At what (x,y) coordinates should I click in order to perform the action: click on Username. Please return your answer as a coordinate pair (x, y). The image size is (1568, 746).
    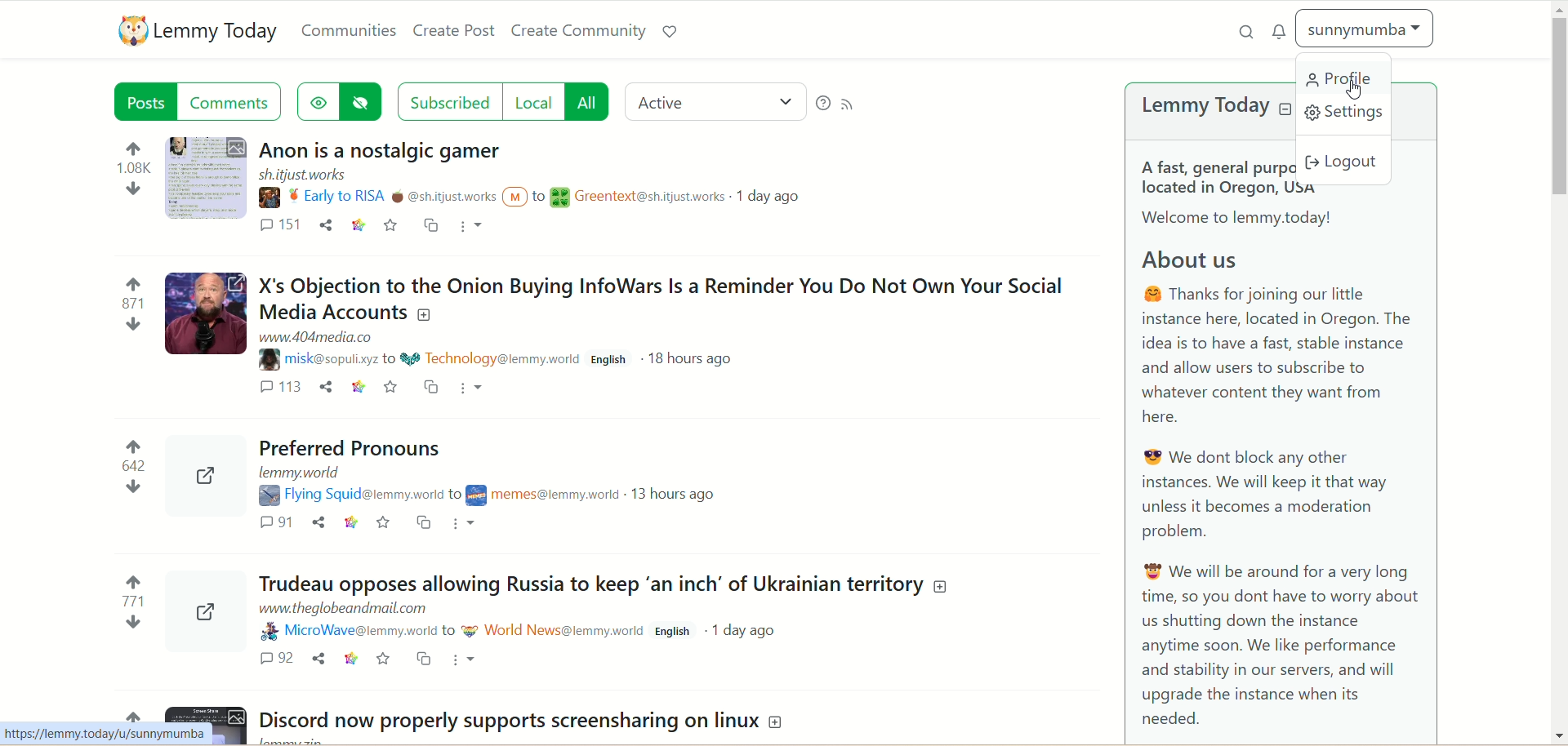
    Looking at the image, I should click on (348, 633).